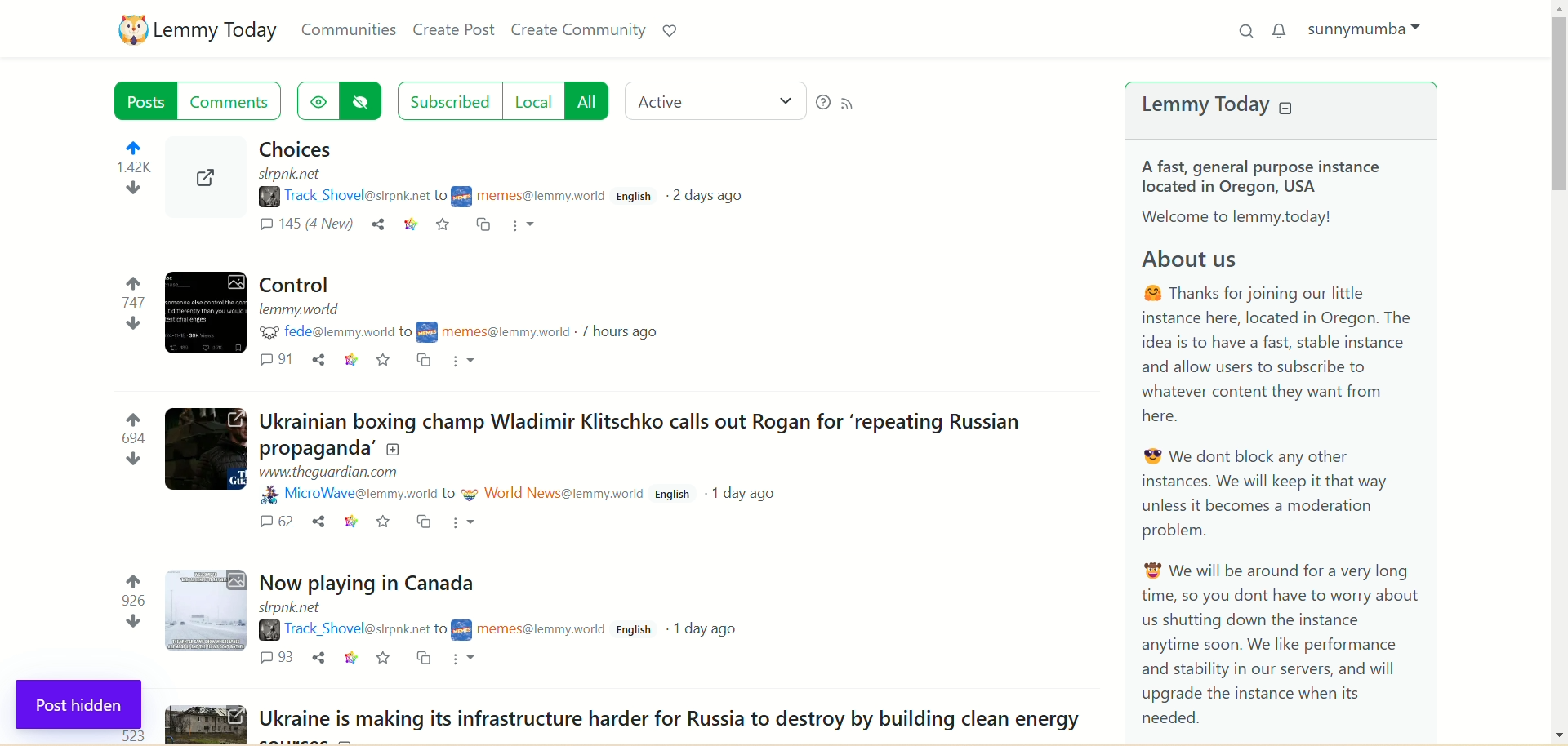 Image resolution: width=1568 pixels, height=746 pixels. Describe the element at coordinates (554, 494) in the screenshot. I see `community` at that location.